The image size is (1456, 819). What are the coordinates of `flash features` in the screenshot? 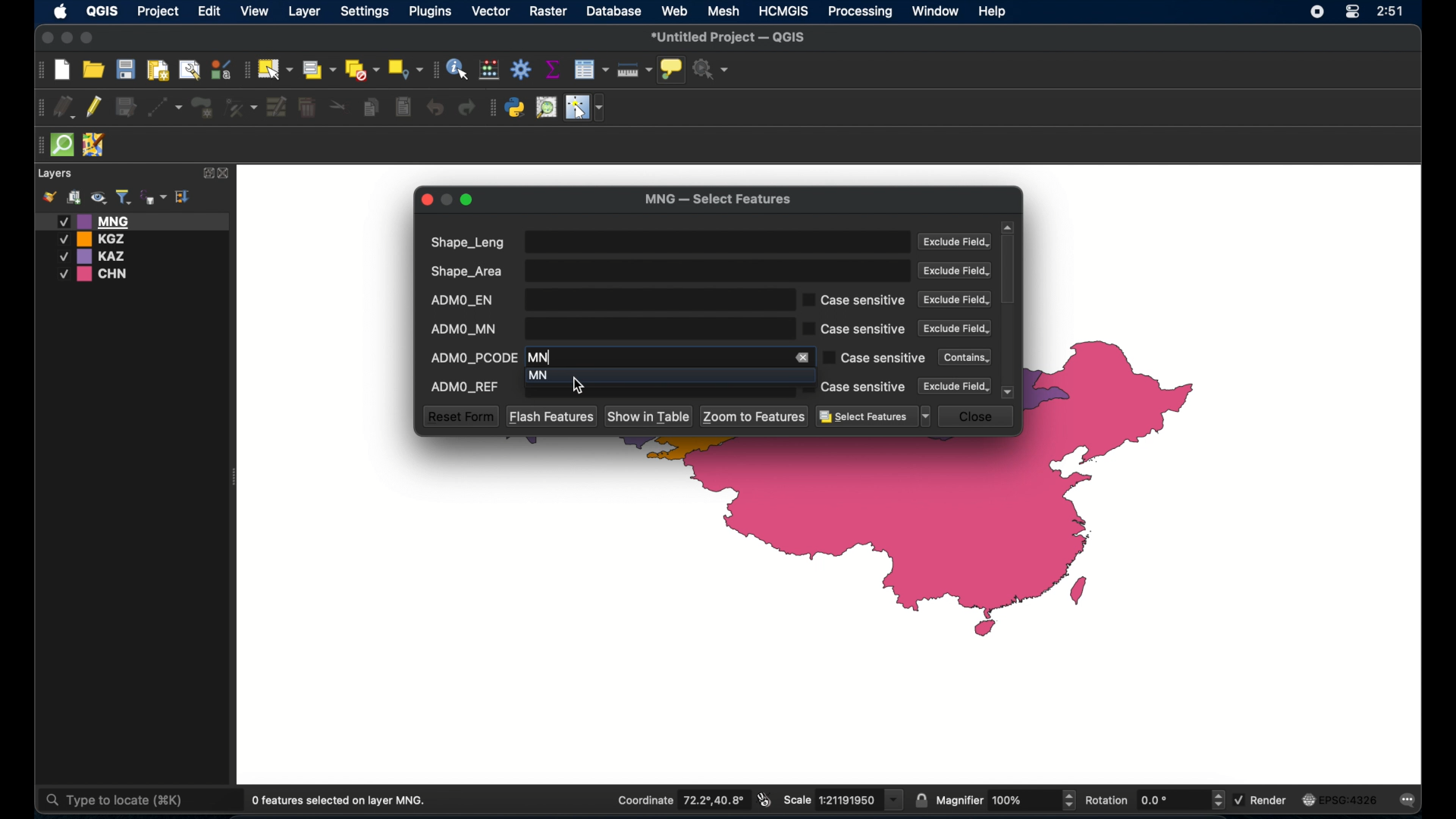 It's located at (551, 416).